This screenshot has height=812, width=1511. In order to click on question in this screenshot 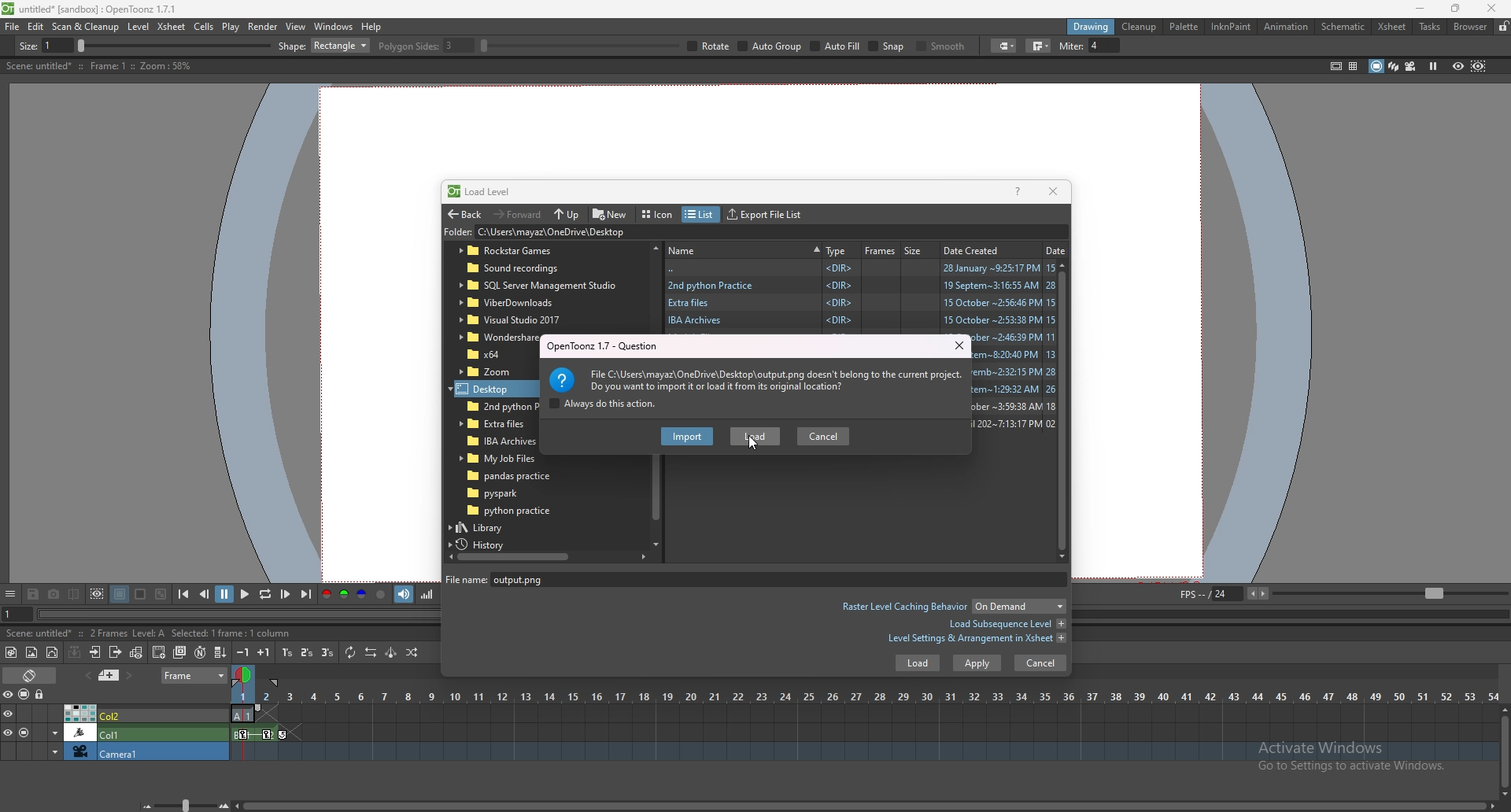, I will do `click(609, 345)`.